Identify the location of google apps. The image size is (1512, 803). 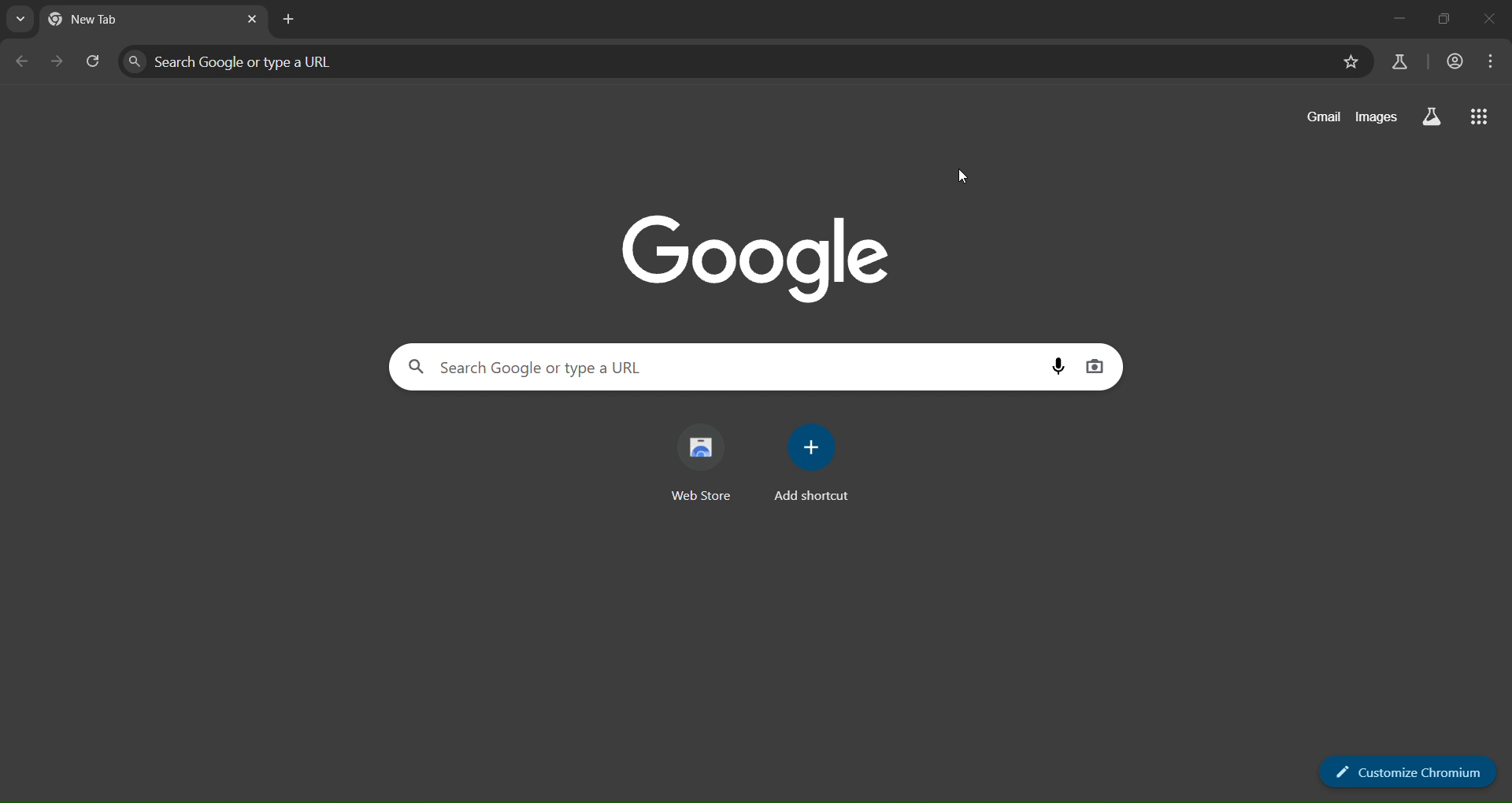
(1482, 117).